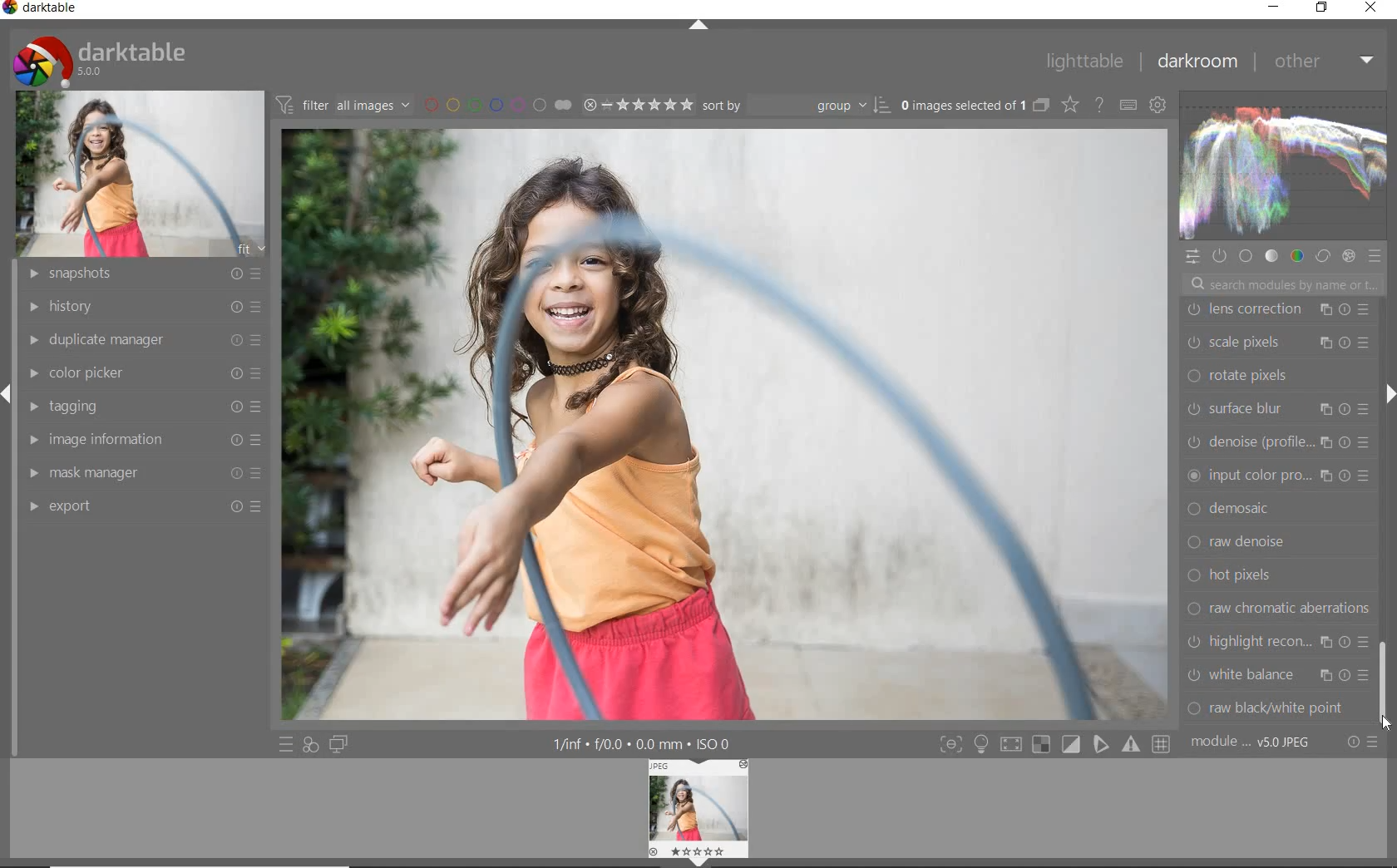 The width and height of the screenshot is (1397, 868). Describe the element at coordinates (342, 744) in the screenshot. I see `display a second darkroom image window` at that location.